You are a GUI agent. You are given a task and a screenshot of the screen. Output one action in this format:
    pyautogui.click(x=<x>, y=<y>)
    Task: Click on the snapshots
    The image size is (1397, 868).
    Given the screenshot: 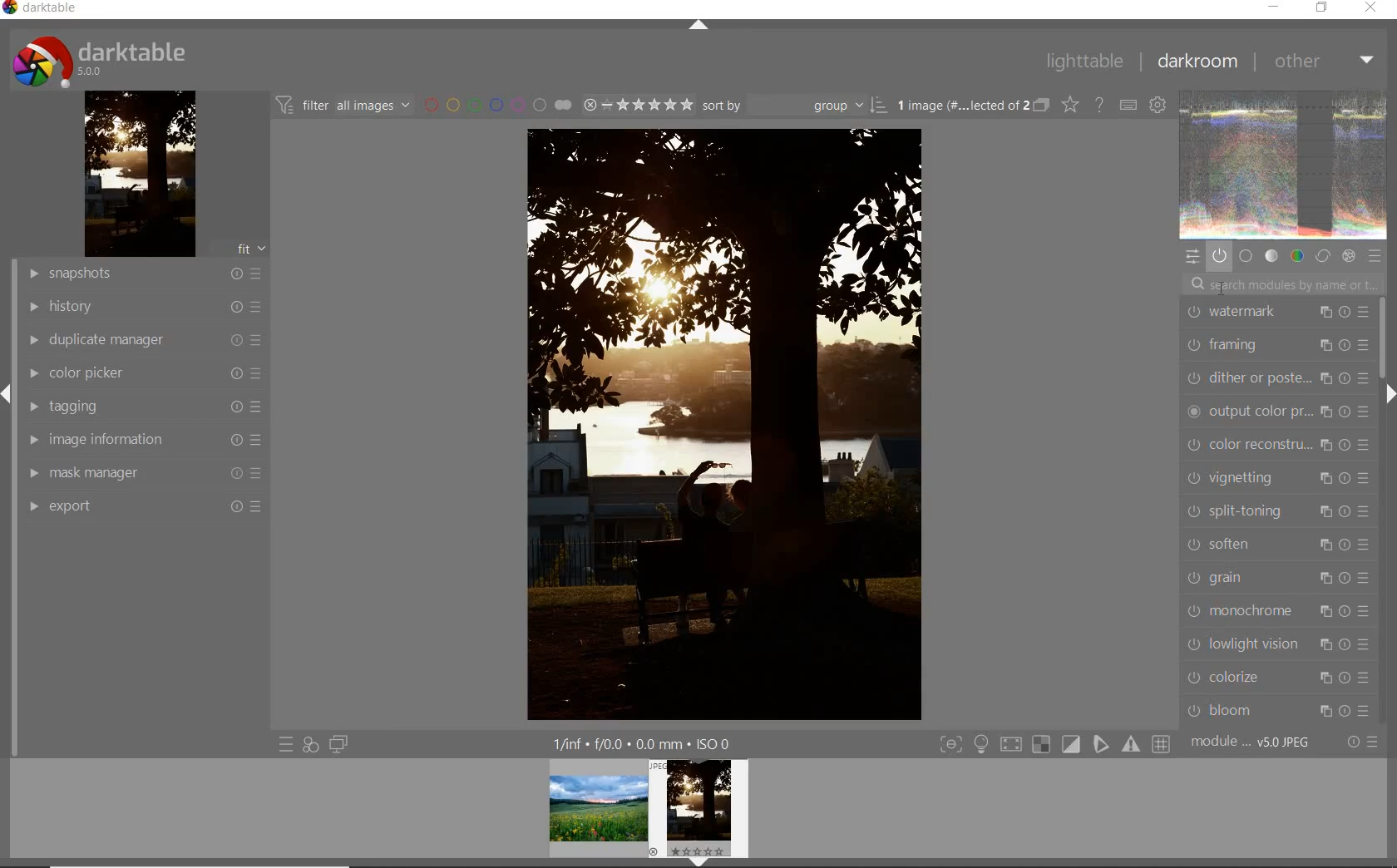 What is the action you would take?
    pyautogui.click(x=139, y=273)
    